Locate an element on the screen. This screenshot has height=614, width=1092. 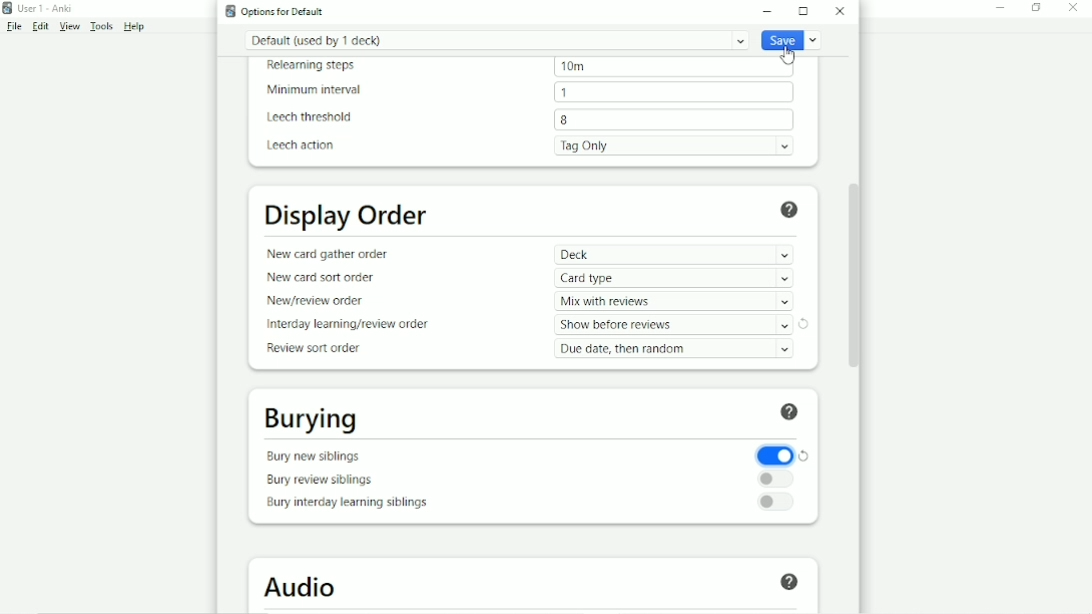
File is located at coordinates (14, 27).